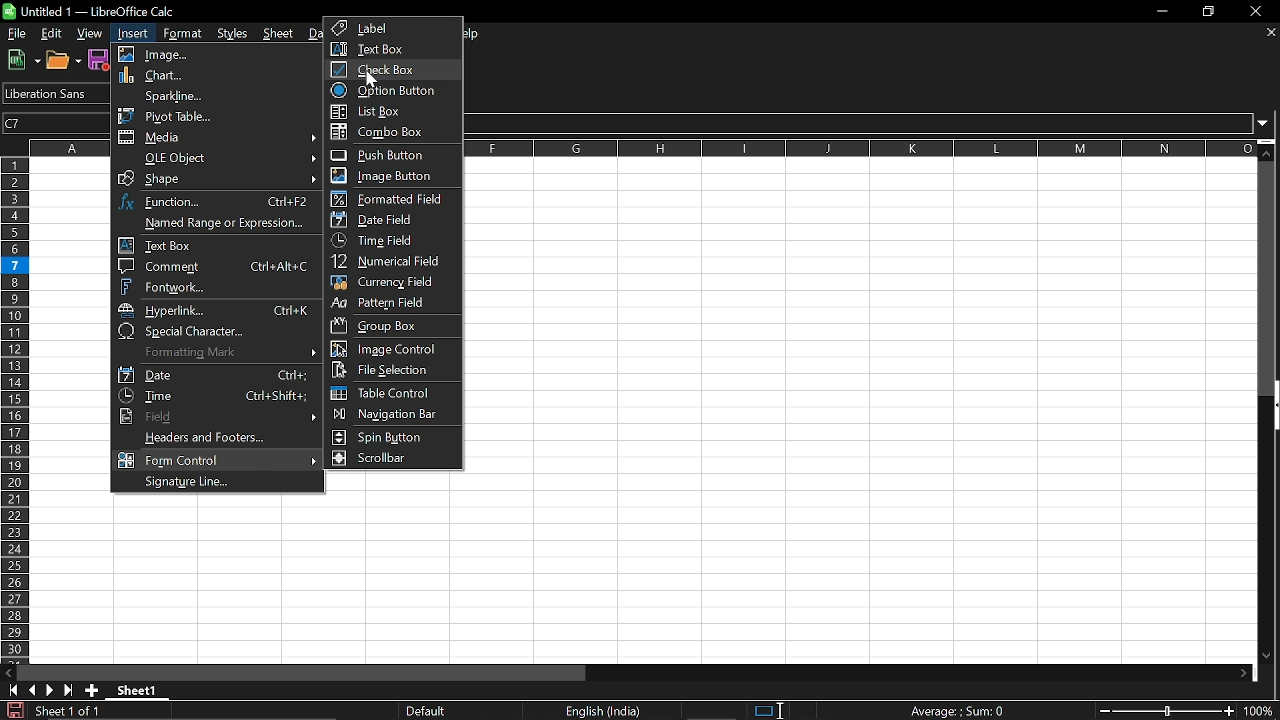 The width and height of the screenshot is (1280, 720). What do you see at coordinates (1268, 124) in the screenshot?
I see `Expand formula bar` at bounding box center [1268, 124].